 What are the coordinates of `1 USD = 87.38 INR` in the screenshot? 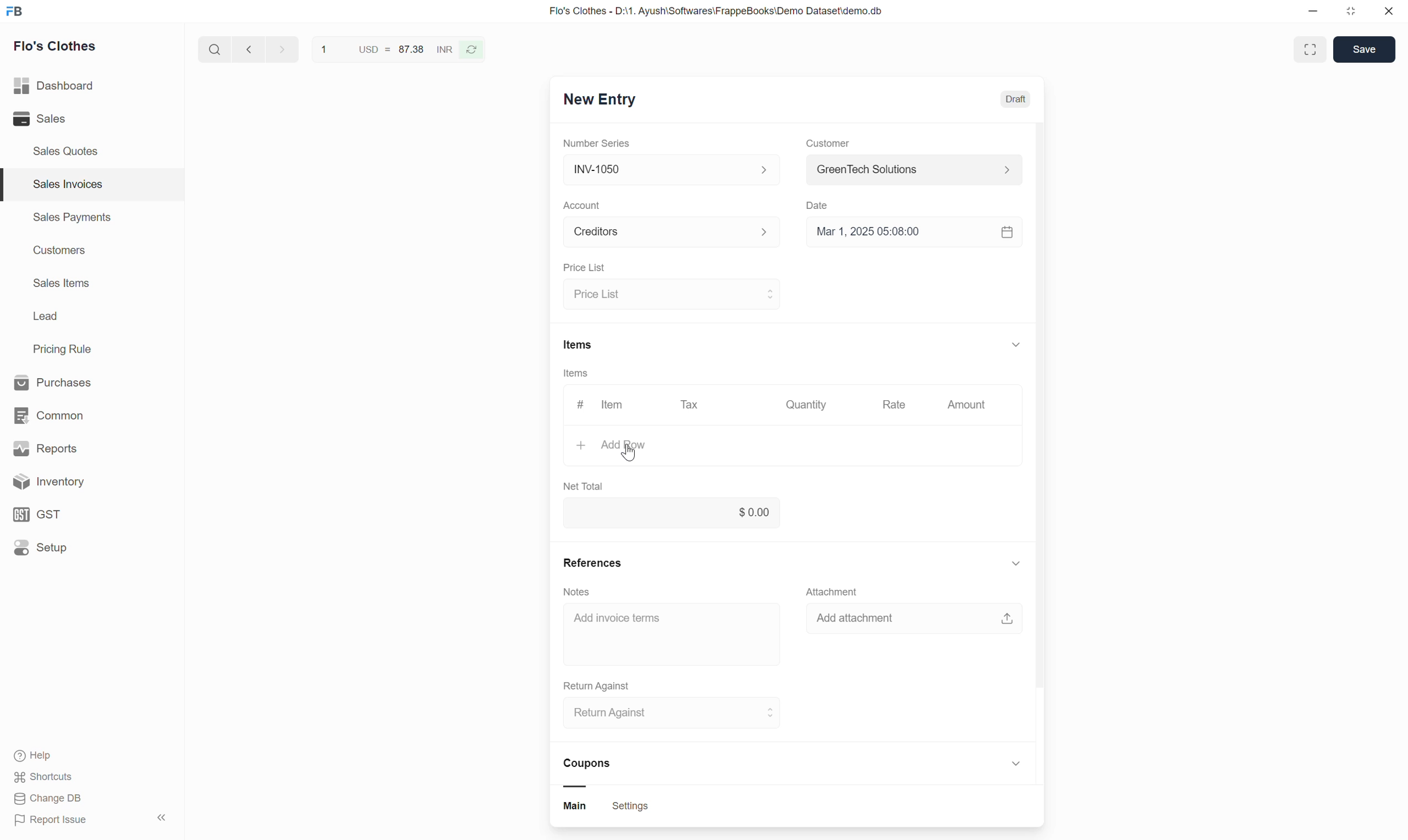 It's located at (384, 49).